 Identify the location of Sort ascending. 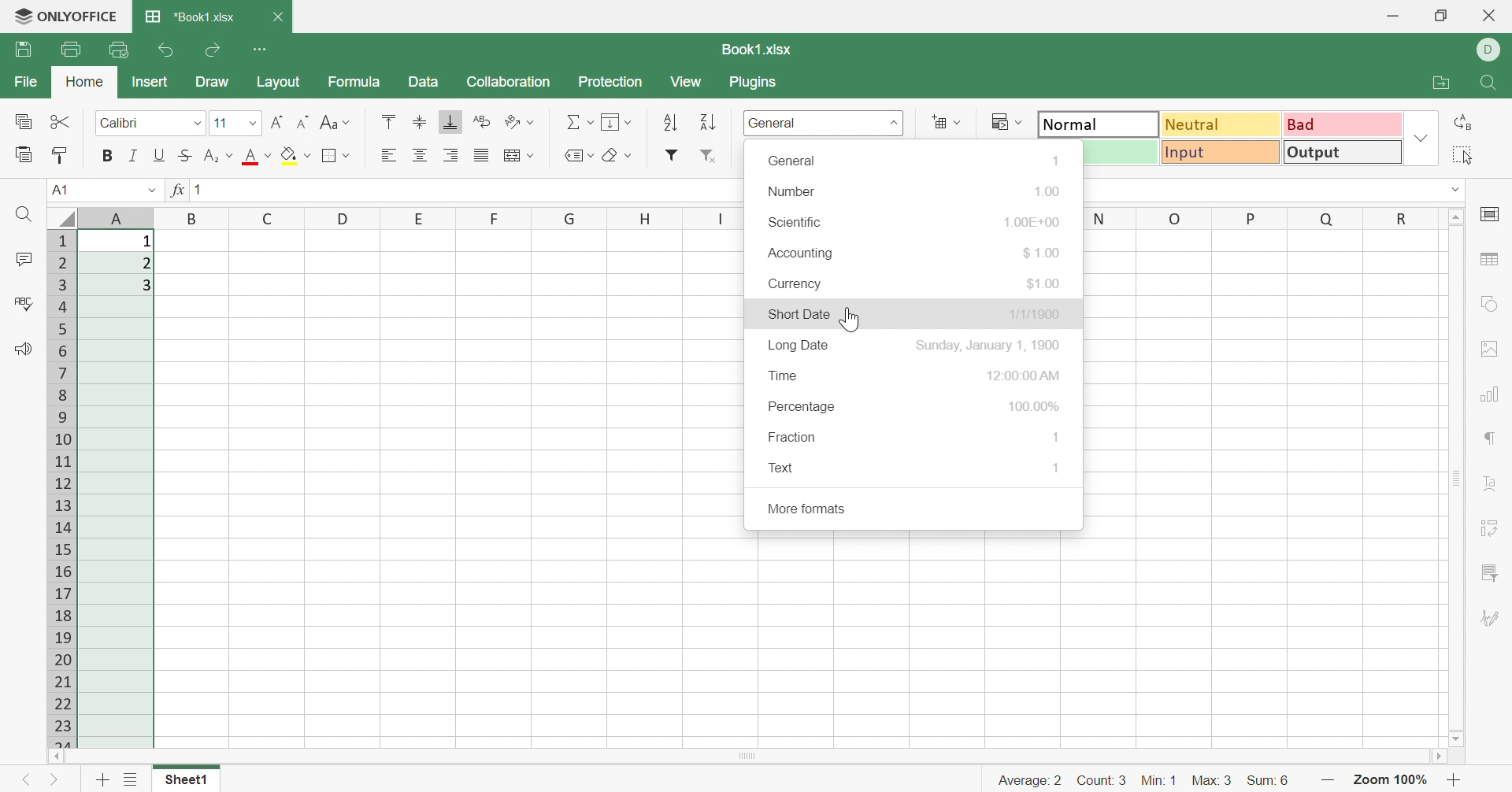
(670, 124).